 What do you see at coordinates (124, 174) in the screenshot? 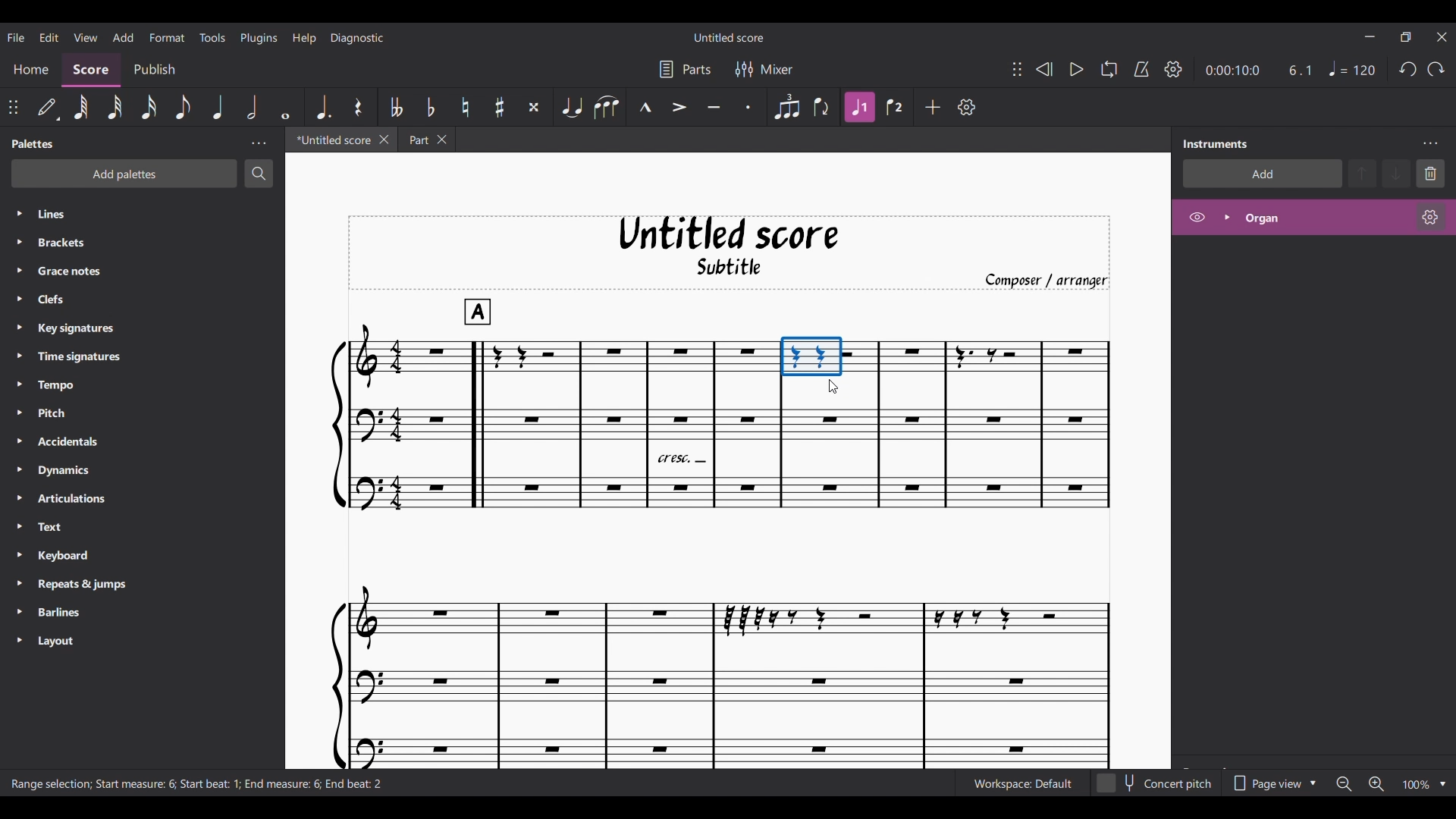
I see `Add palette` at bounding box center [124, 174].